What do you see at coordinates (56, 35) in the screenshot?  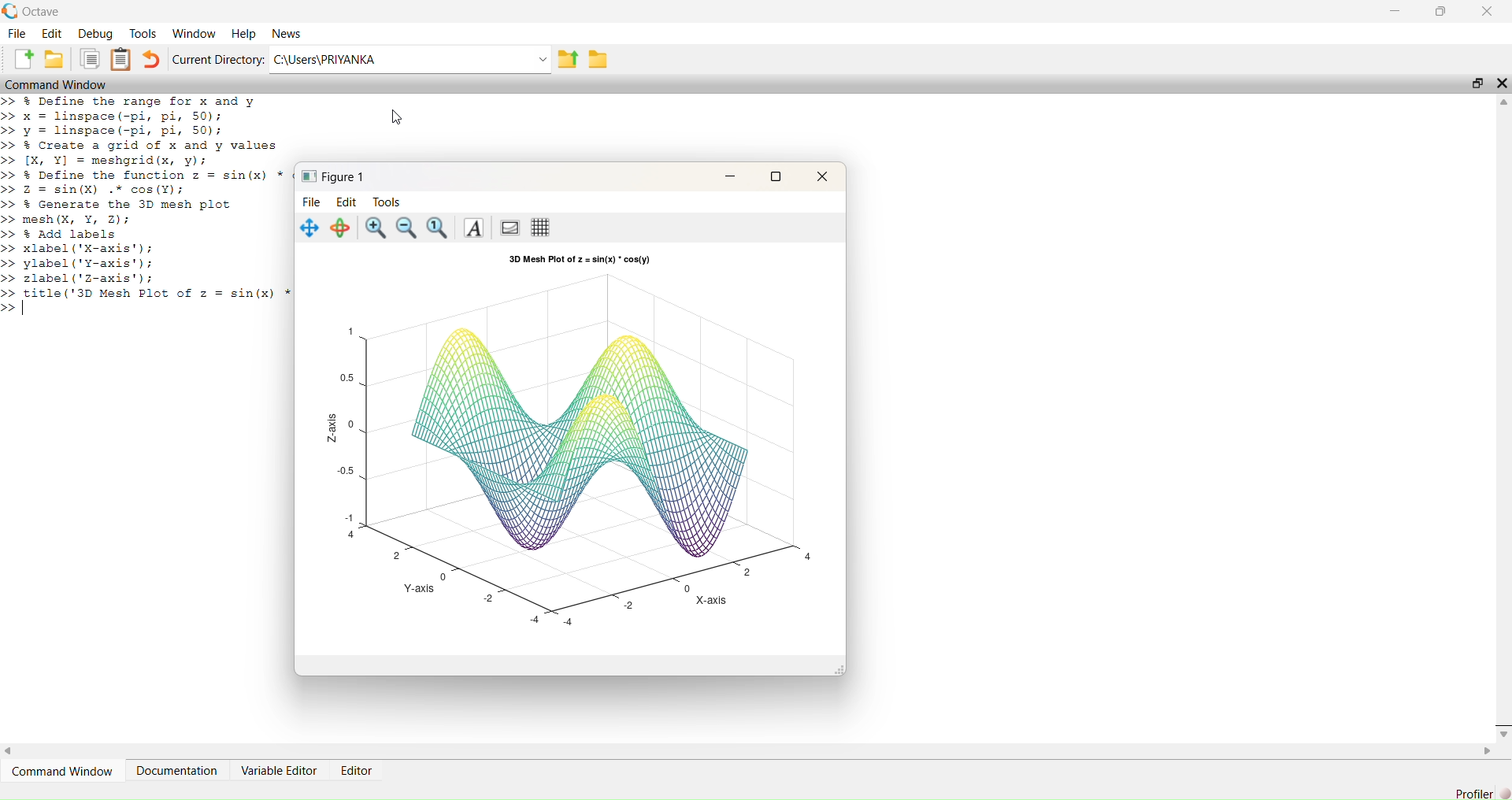 I see `Edit` at bounding box center [56, 35].